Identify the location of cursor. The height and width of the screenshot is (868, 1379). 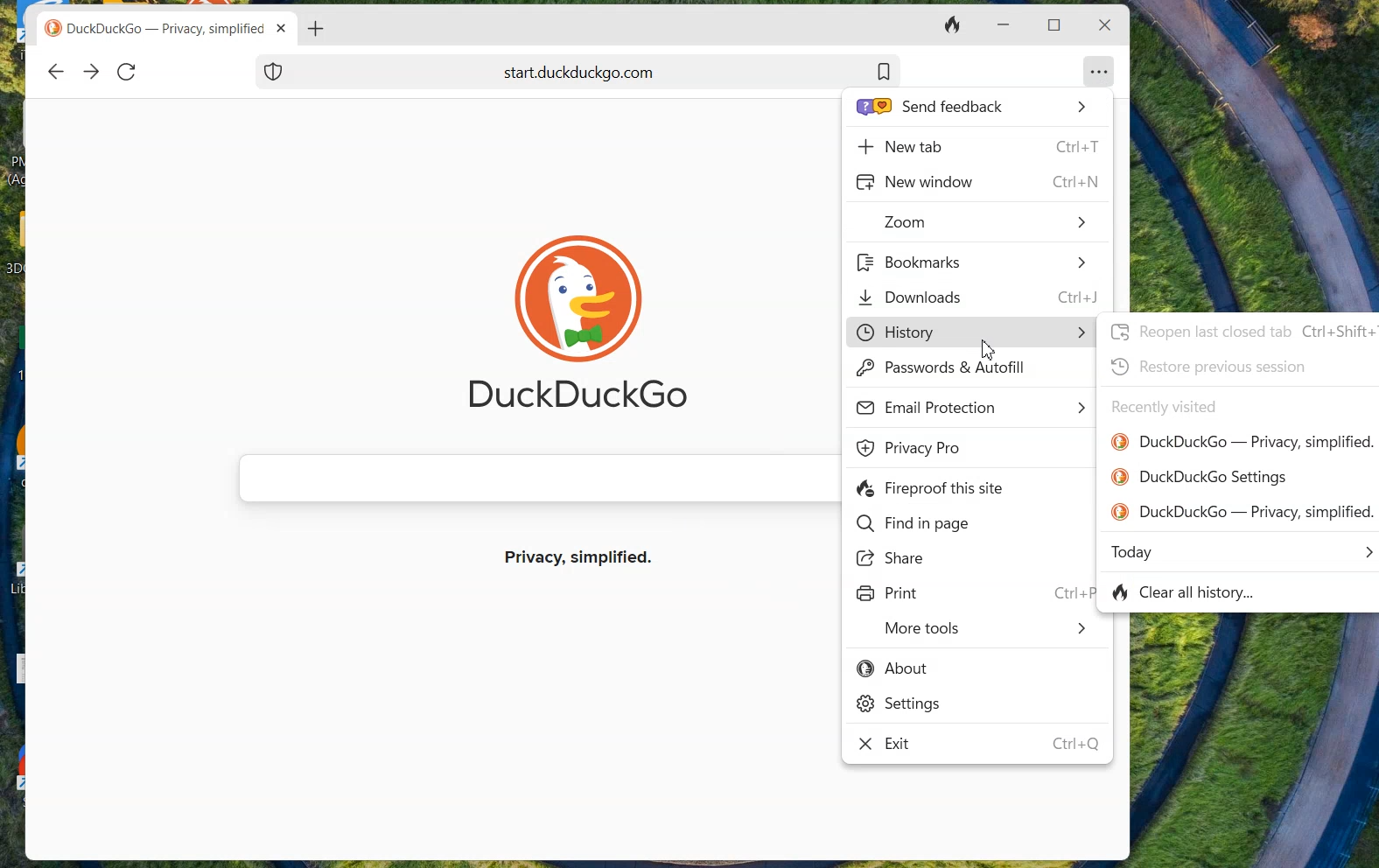
(983, 349).